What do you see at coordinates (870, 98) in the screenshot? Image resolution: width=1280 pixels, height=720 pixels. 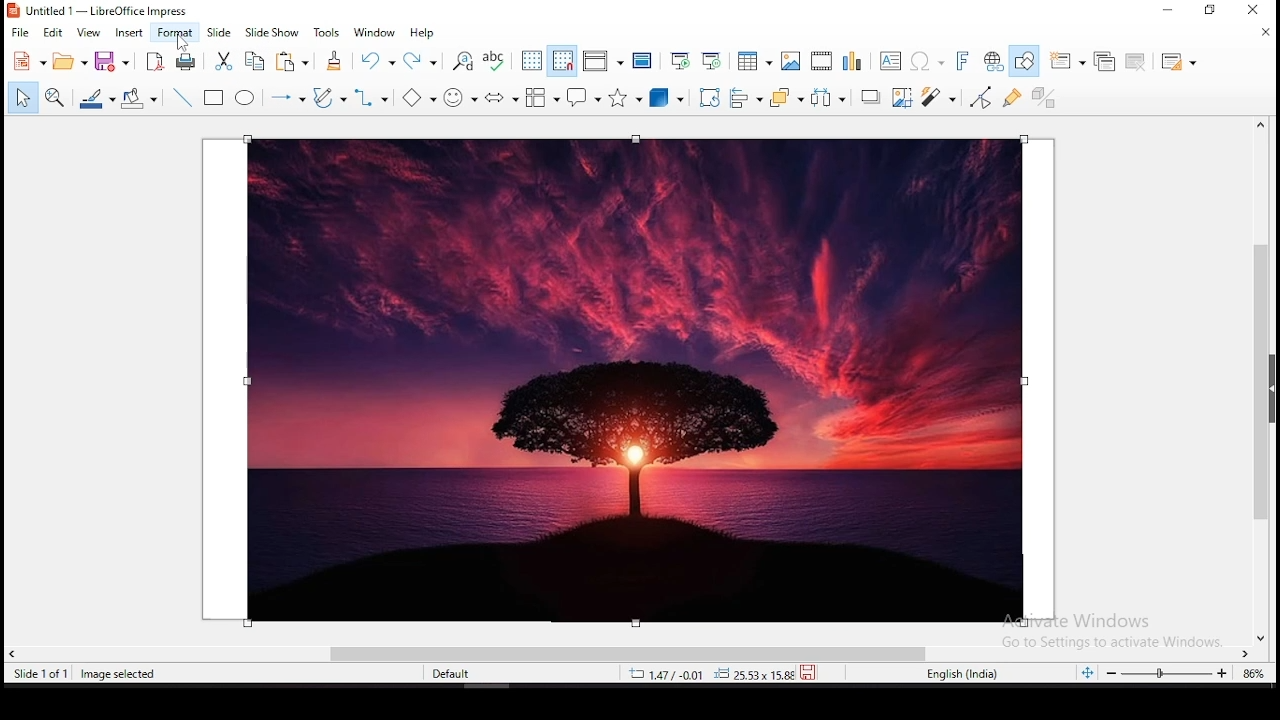 I see `Shadow` at bounding box center [870, 98].